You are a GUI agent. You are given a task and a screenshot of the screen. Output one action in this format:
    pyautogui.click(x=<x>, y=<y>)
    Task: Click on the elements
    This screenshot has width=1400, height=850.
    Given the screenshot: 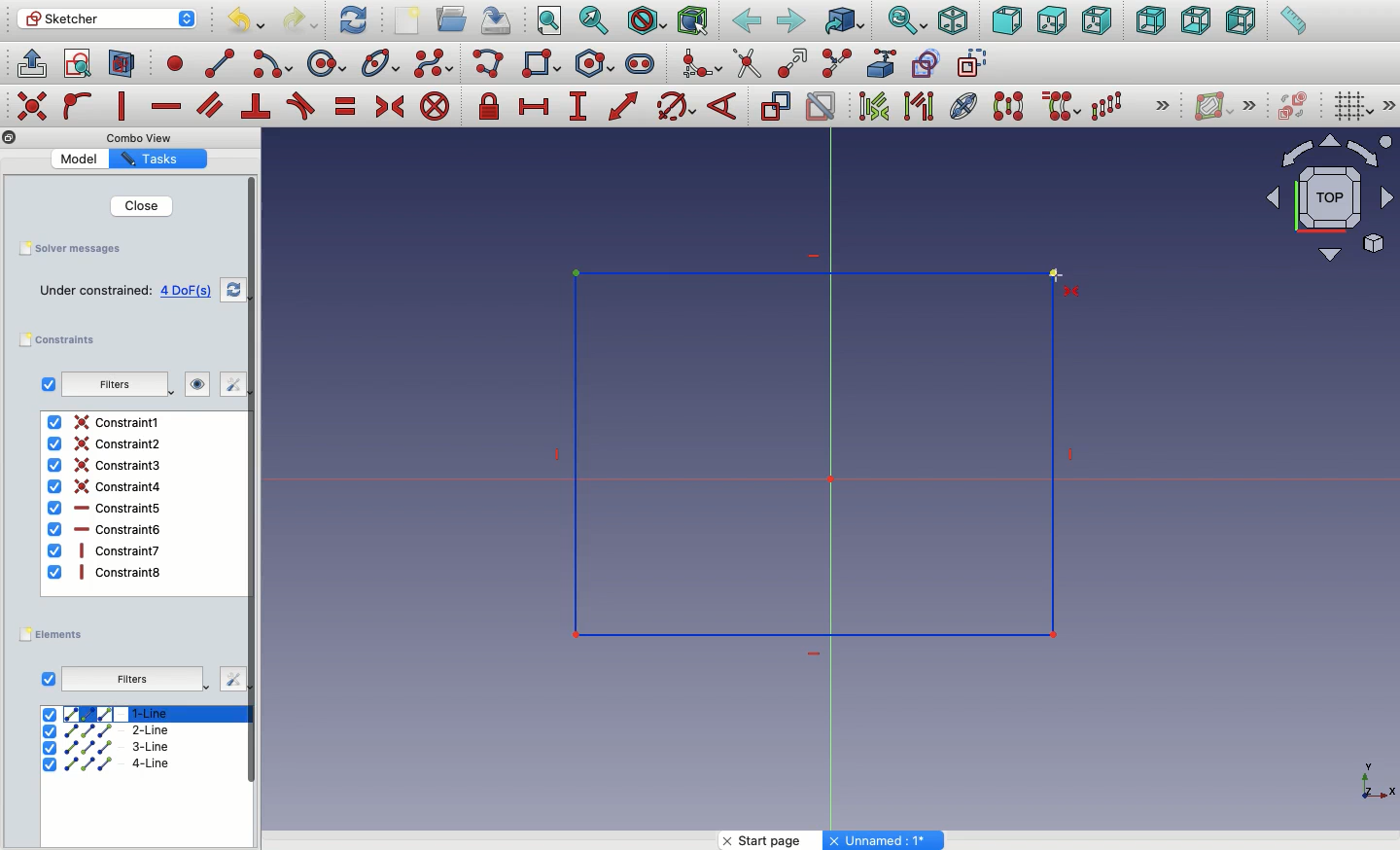 What is the action you would take?
    pyautogui.click(x=54, y=635)
    